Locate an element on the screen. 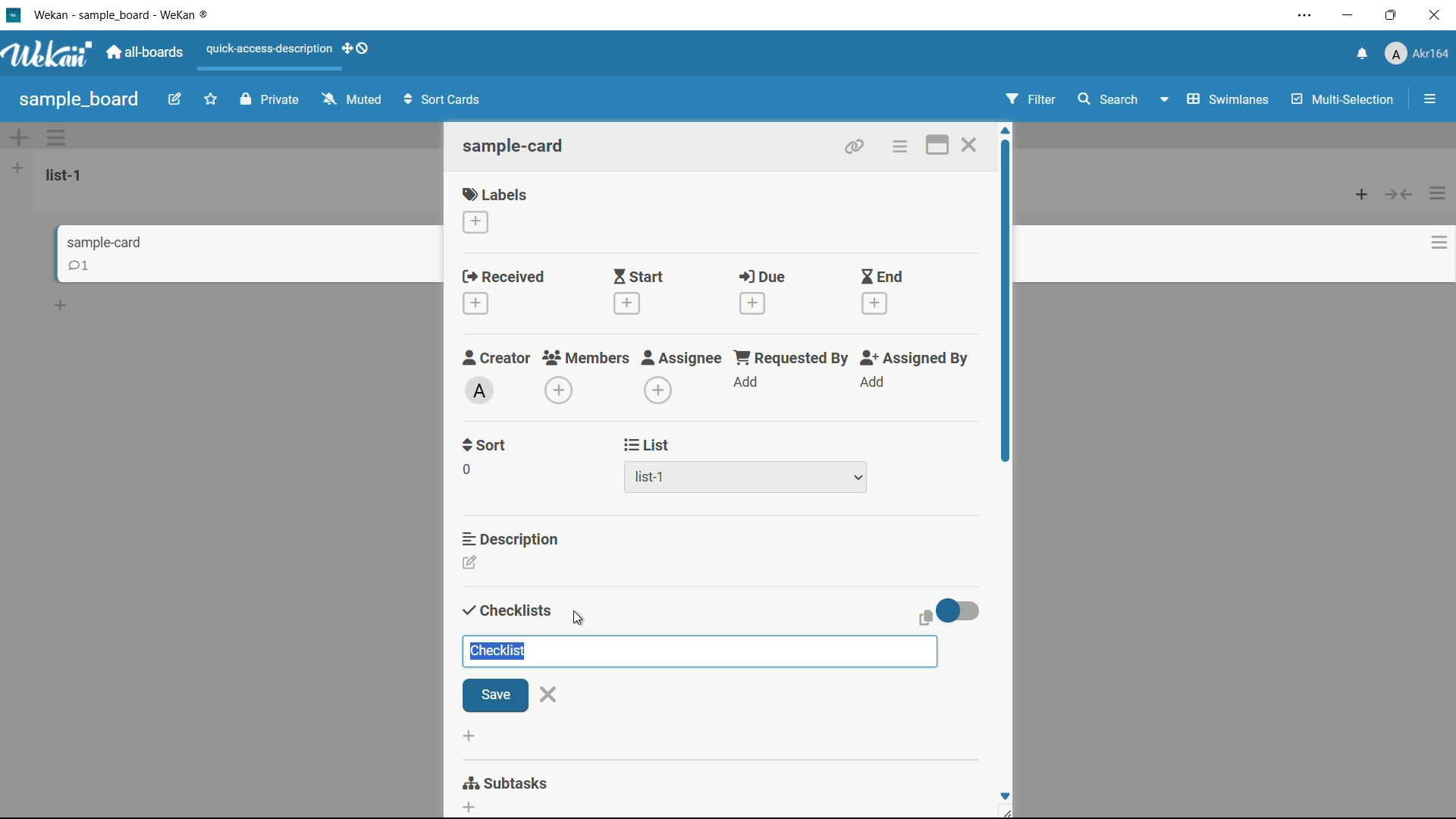 This screenshot has height=819, width=1456. received is located at coordinates (500, 277).